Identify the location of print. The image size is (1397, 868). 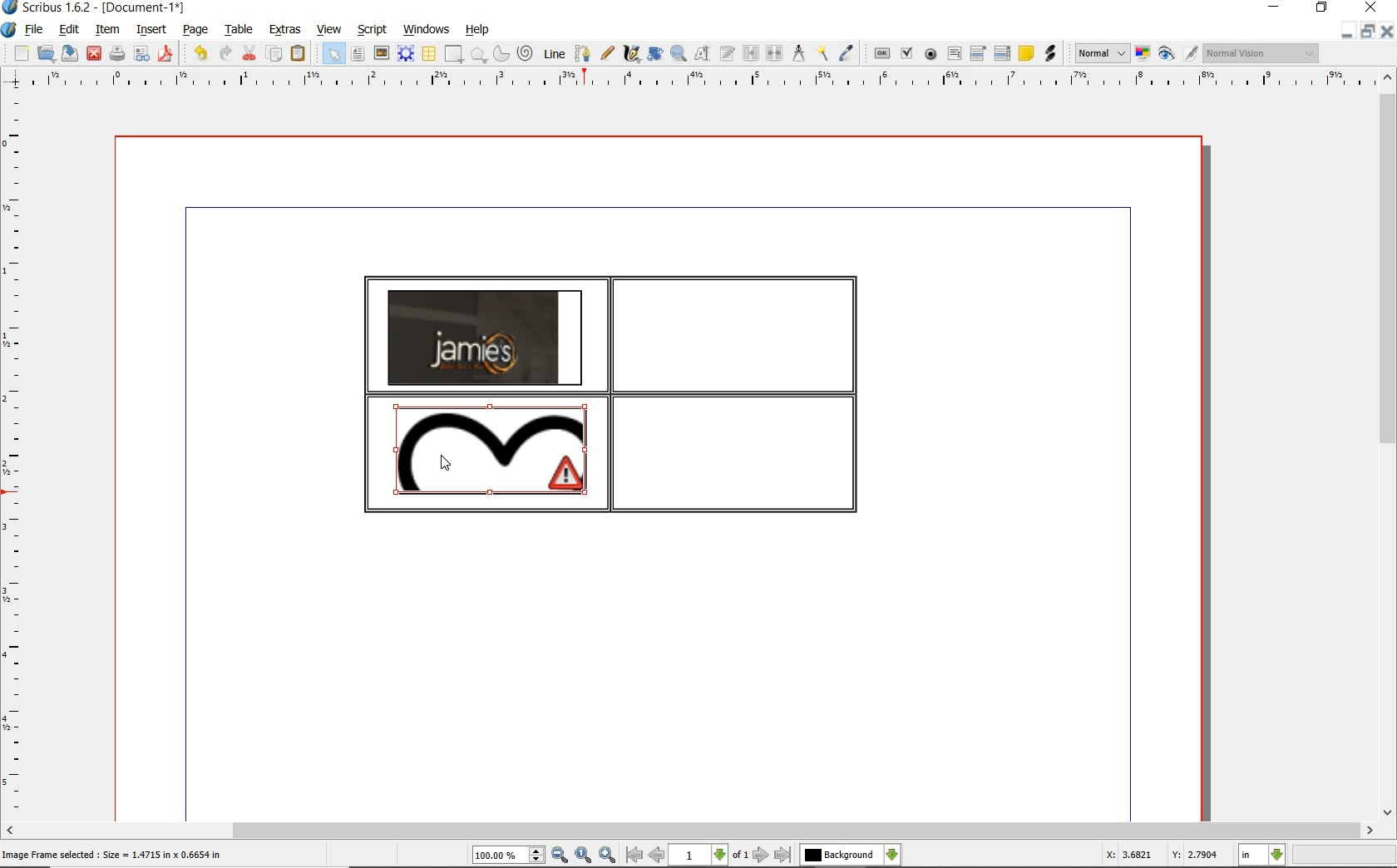
(116, 53).